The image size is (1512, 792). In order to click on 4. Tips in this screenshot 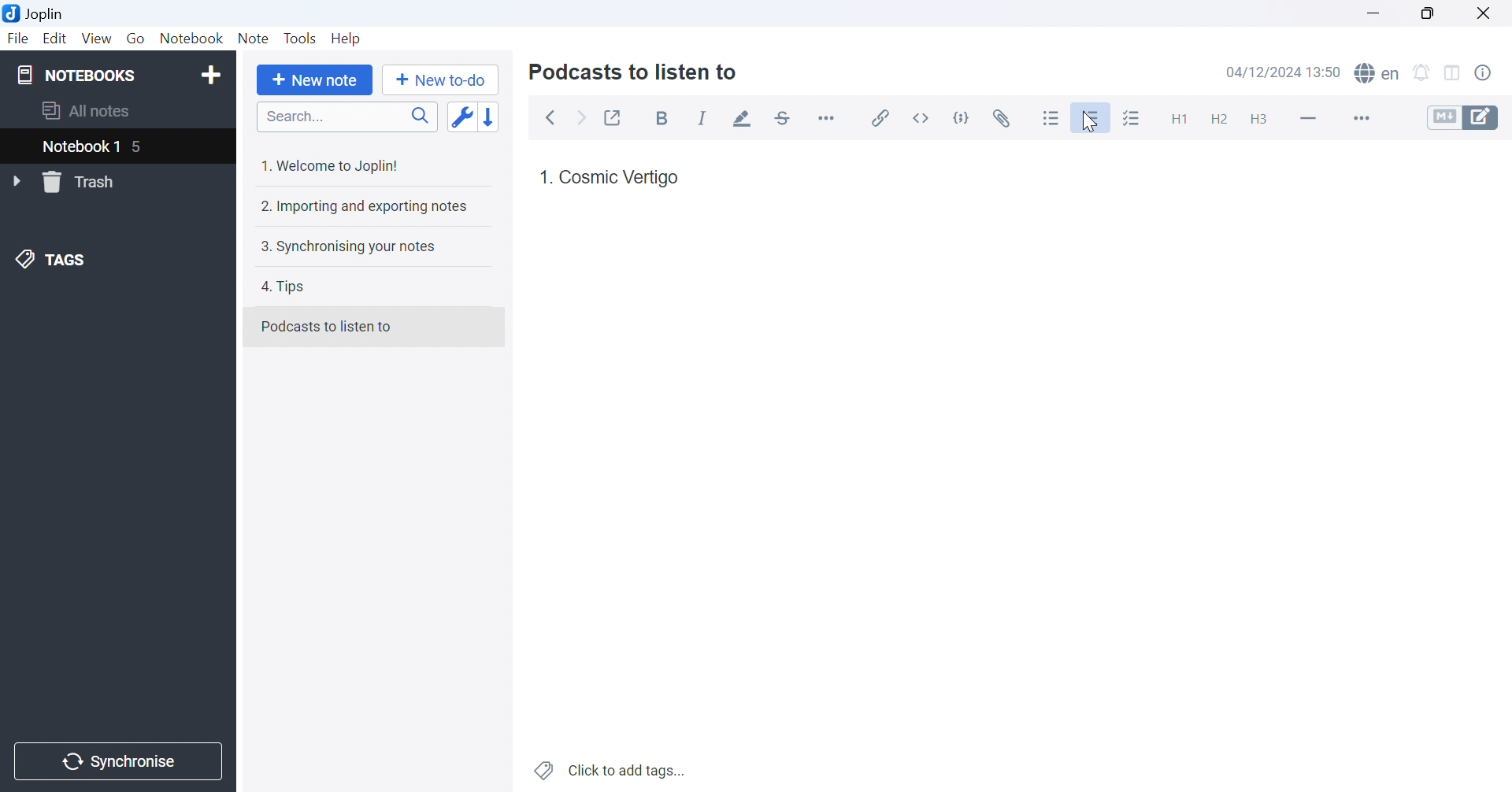, I will do `click(289, 288)`.